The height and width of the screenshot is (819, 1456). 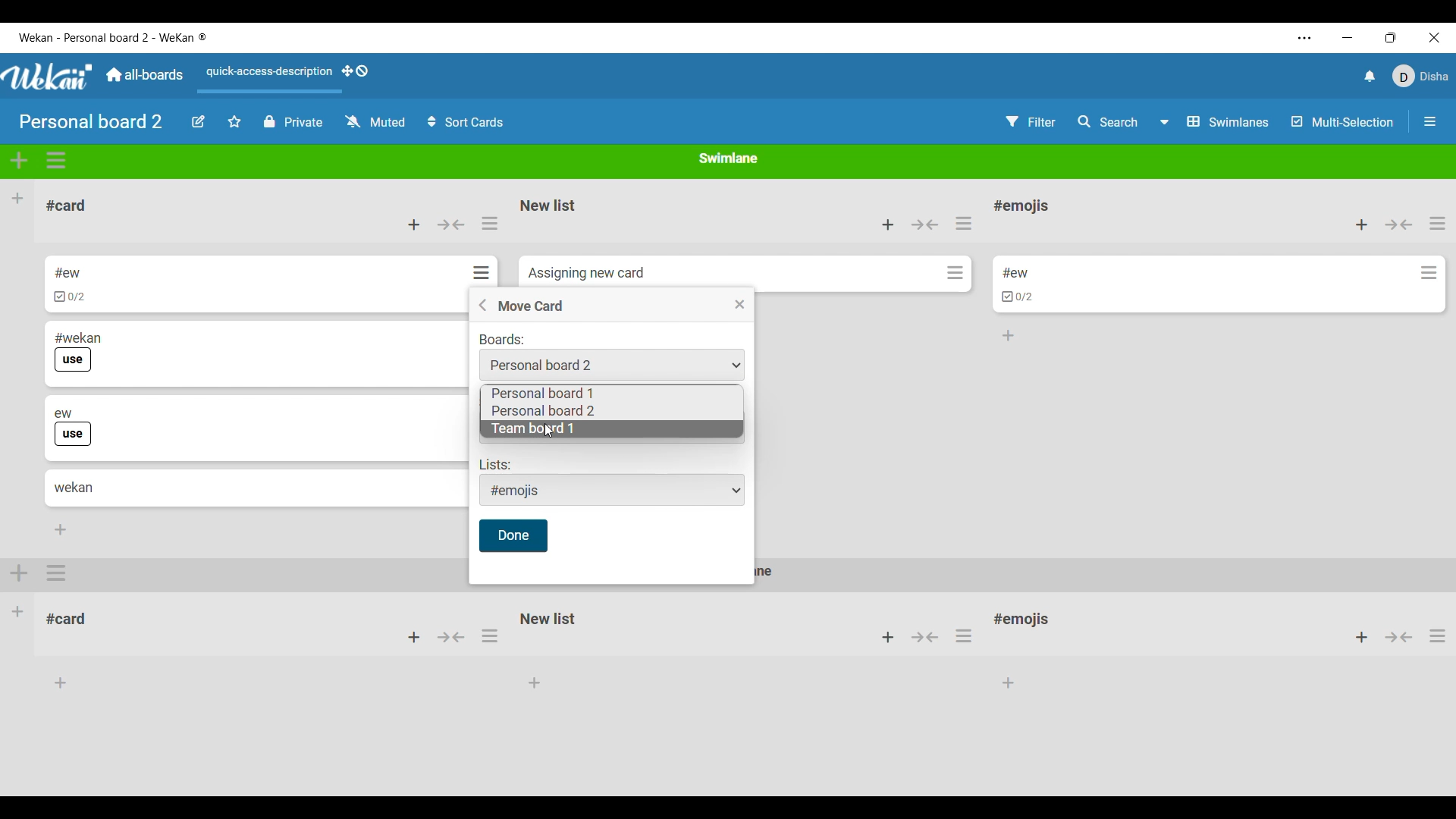 What do you see at coordinates (612, 490) in the screenshot?
I see `List options` at bounding box center [612, 490].